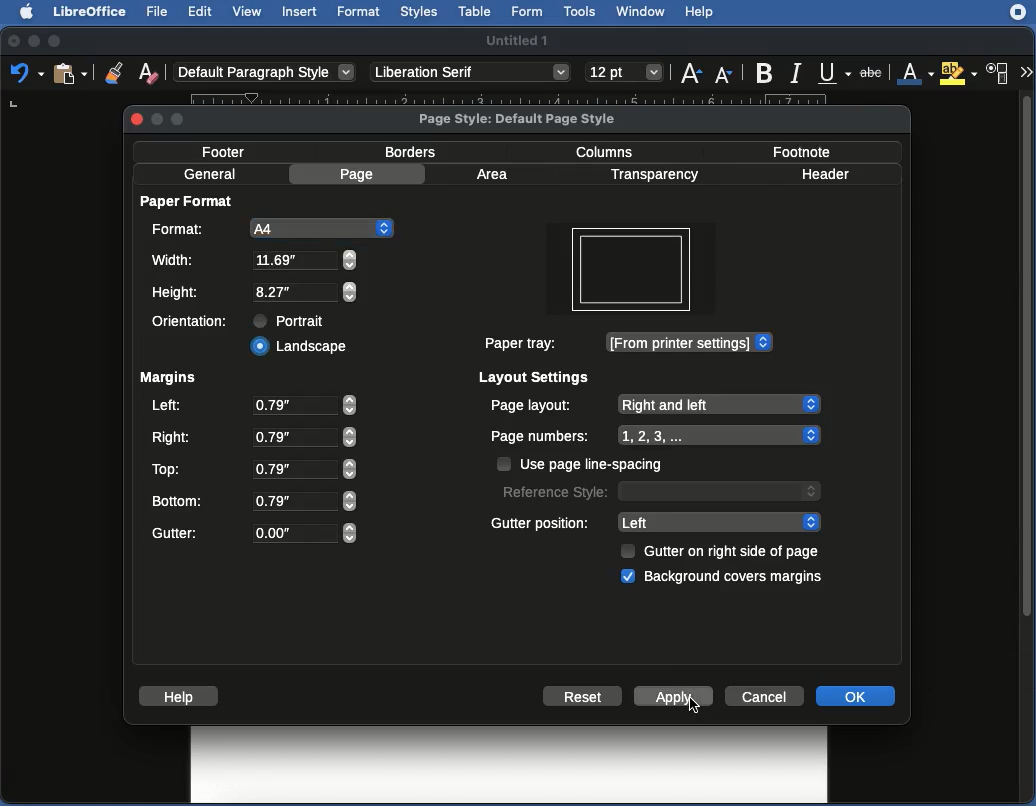 Image resolution: width=1036 pixels, height=806 pixels. Describe the element at coordinates (660, 175) in the screenshot. I see `Transparency` at that location.